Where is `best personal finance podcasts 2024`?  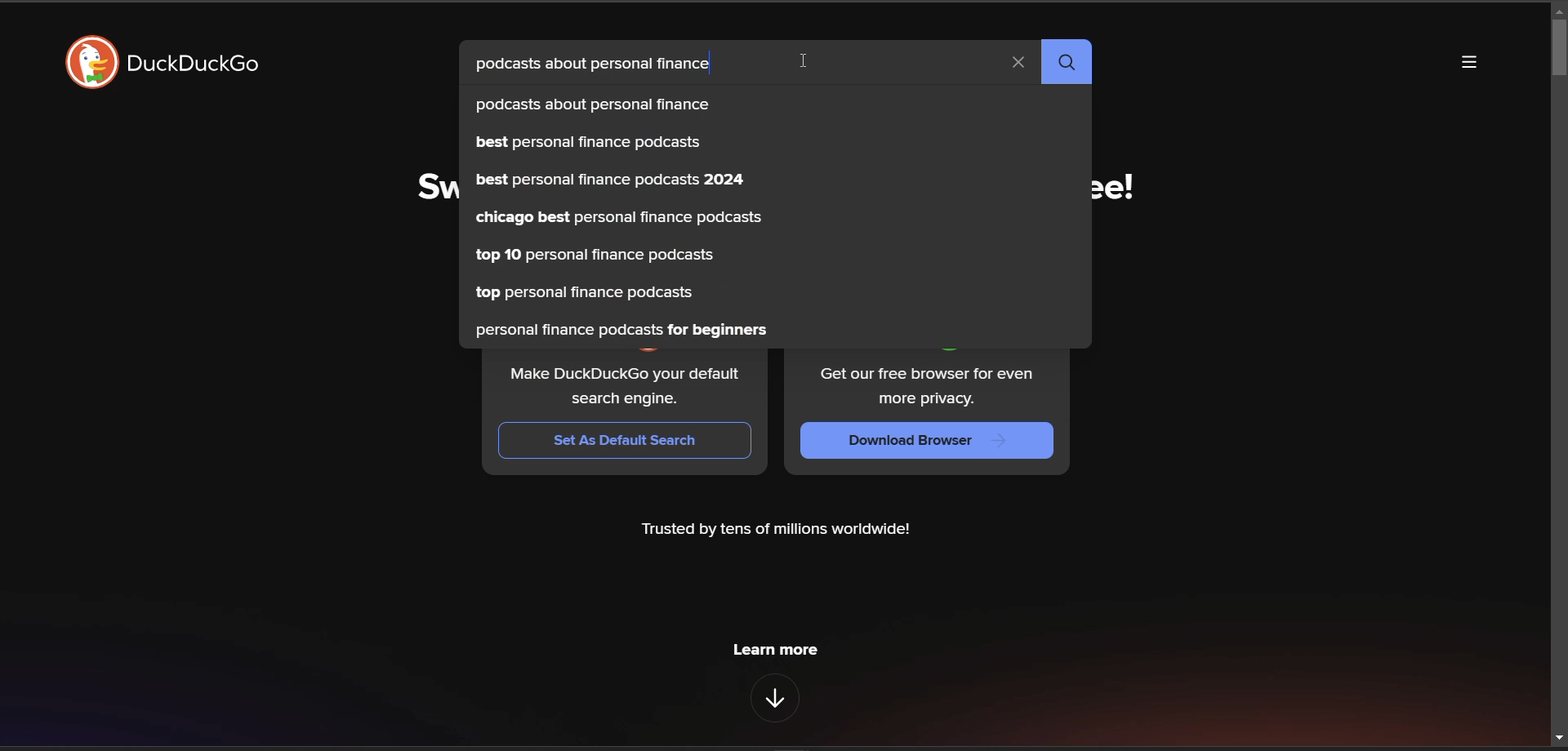 best personal finance podcasts 2024 is located at coordinates (611, 178).